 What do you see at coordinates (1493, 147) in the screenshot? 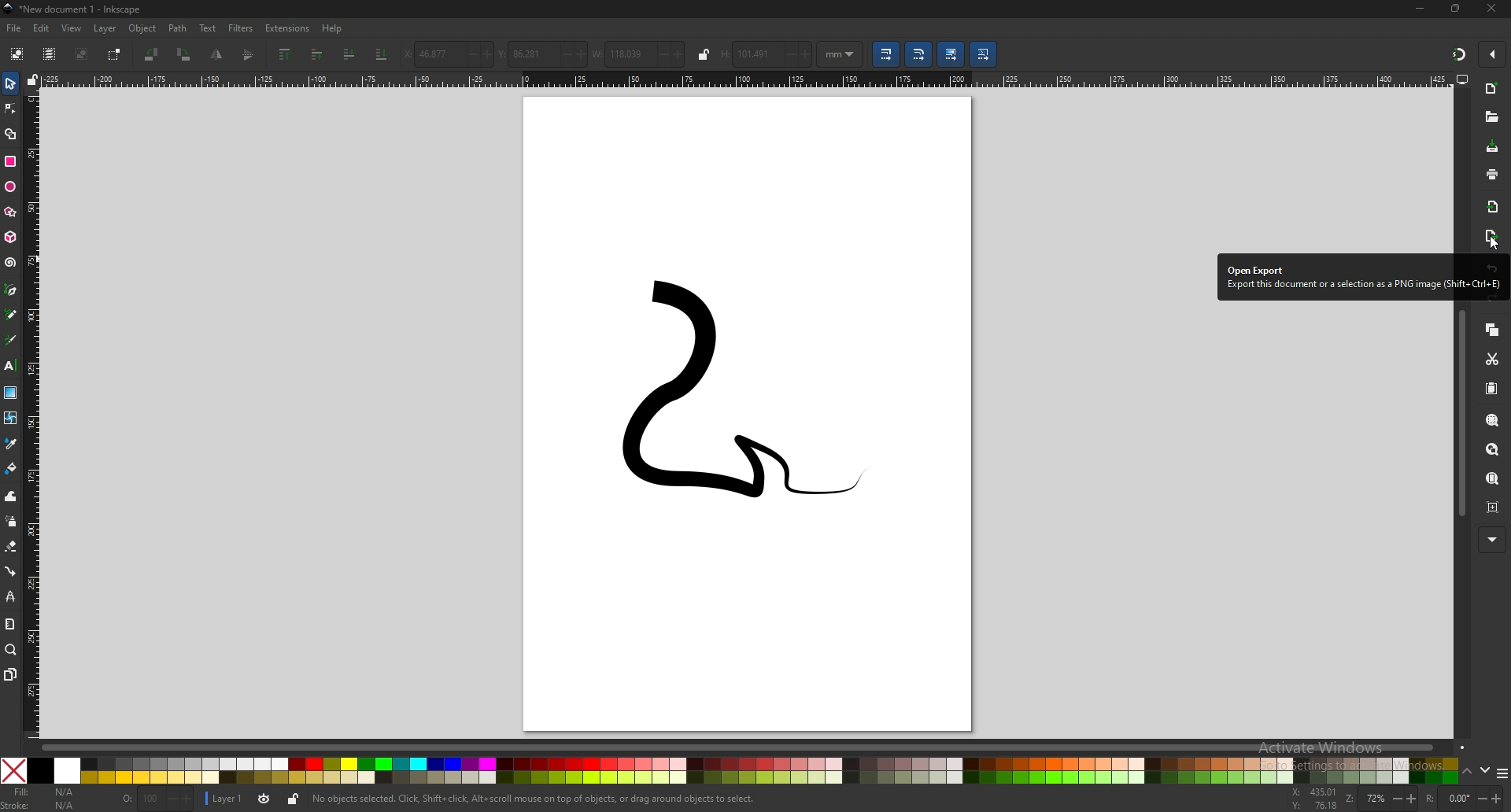
I see `save` at bounding box center [1493, 147].